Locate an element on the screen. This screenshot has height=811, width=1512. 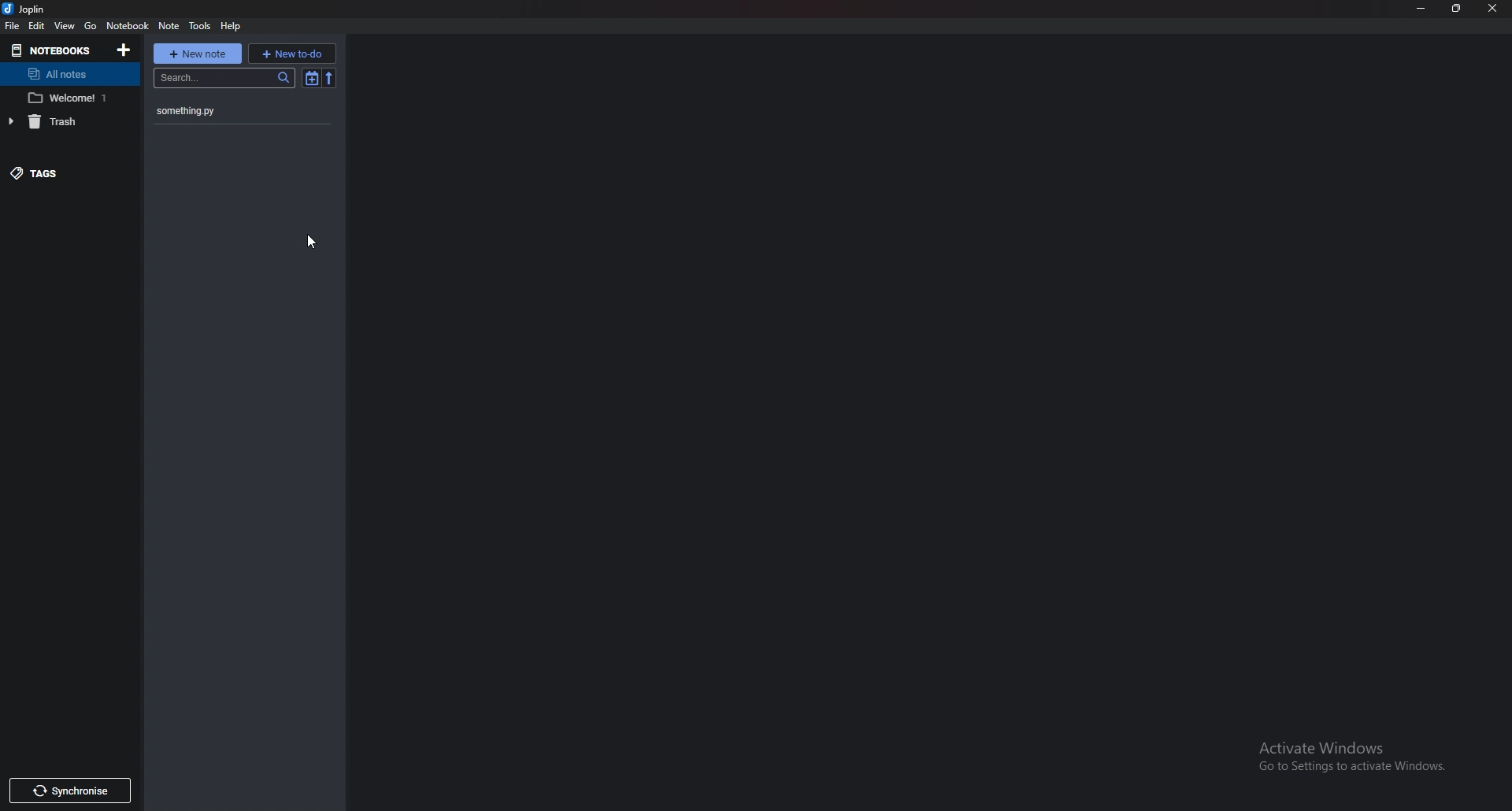
note is located at coordinates (169, 25).